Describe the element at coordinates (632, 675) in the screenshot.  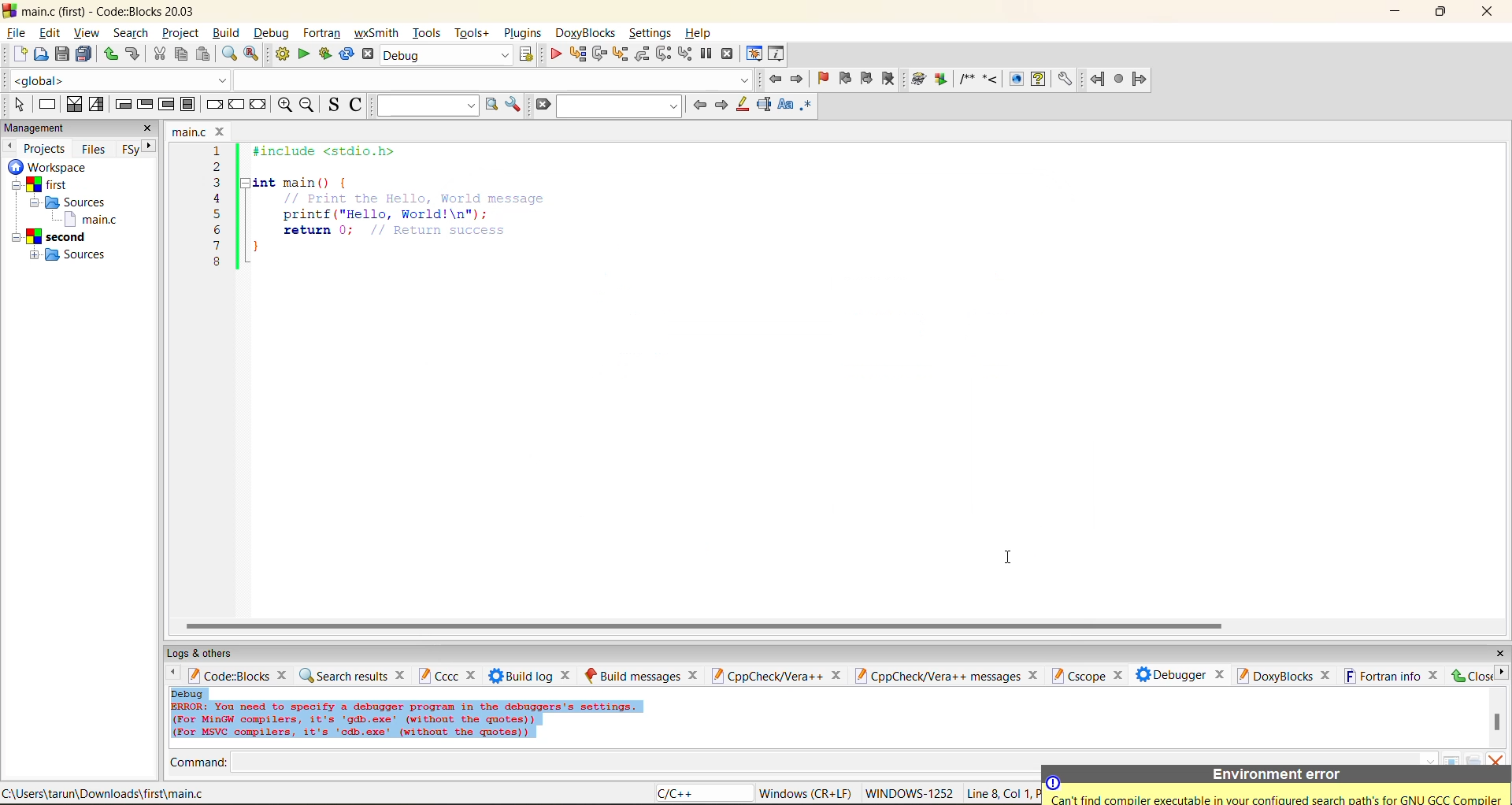
I see `build messages` at that location.